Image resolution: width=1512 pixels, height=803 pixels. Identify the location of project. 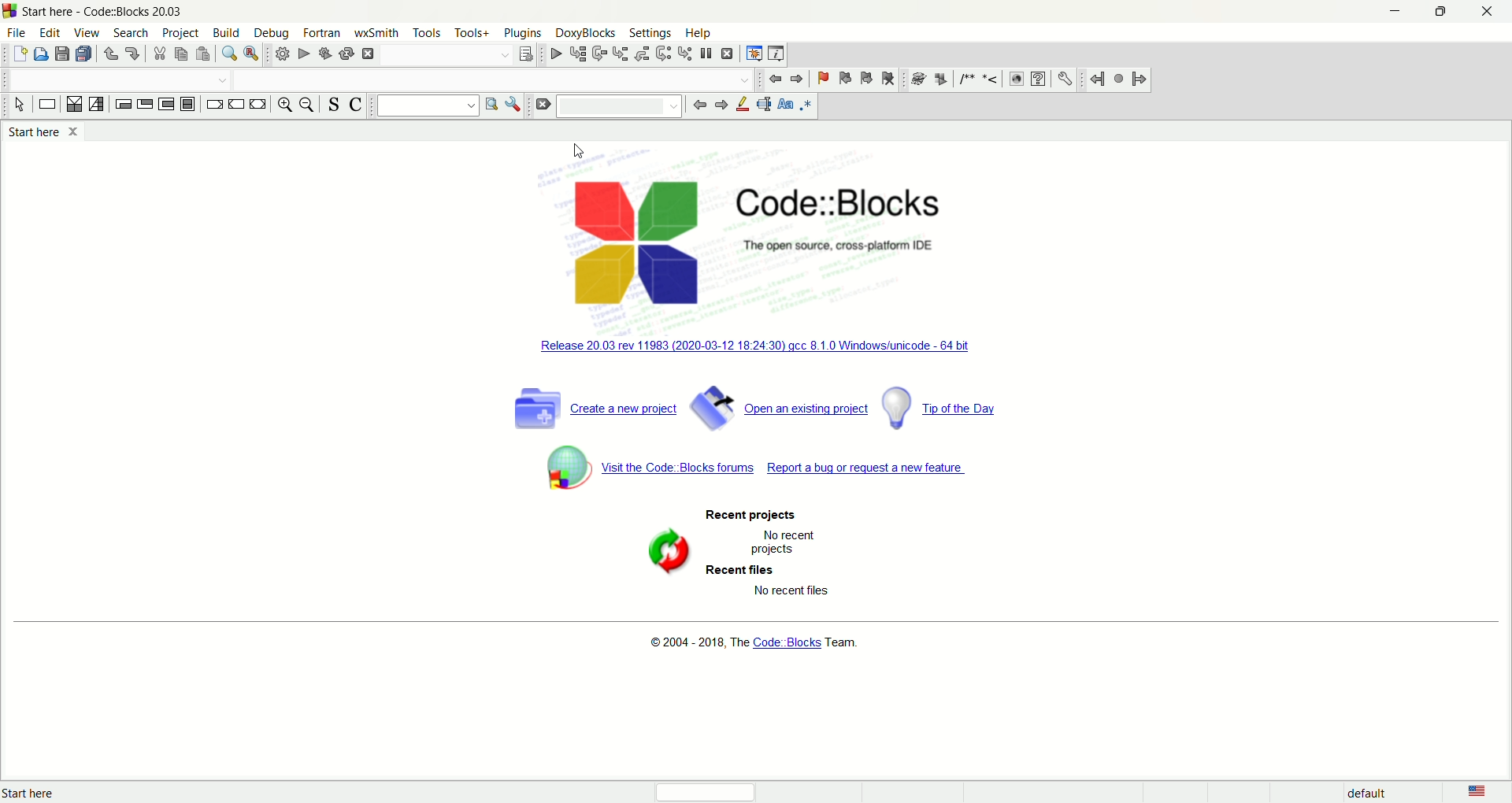
(180, 33).